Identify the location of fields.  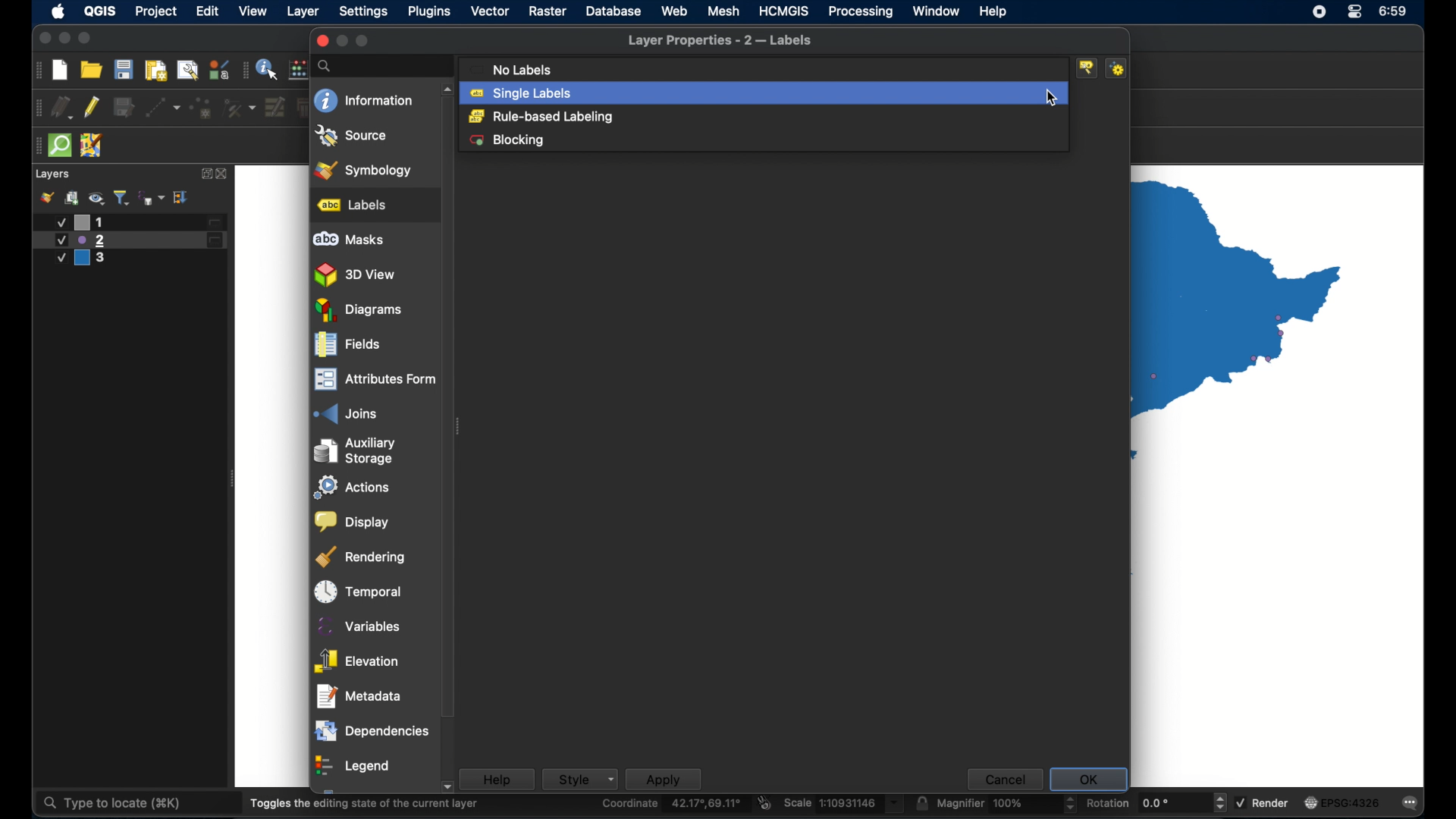
(347, 345).